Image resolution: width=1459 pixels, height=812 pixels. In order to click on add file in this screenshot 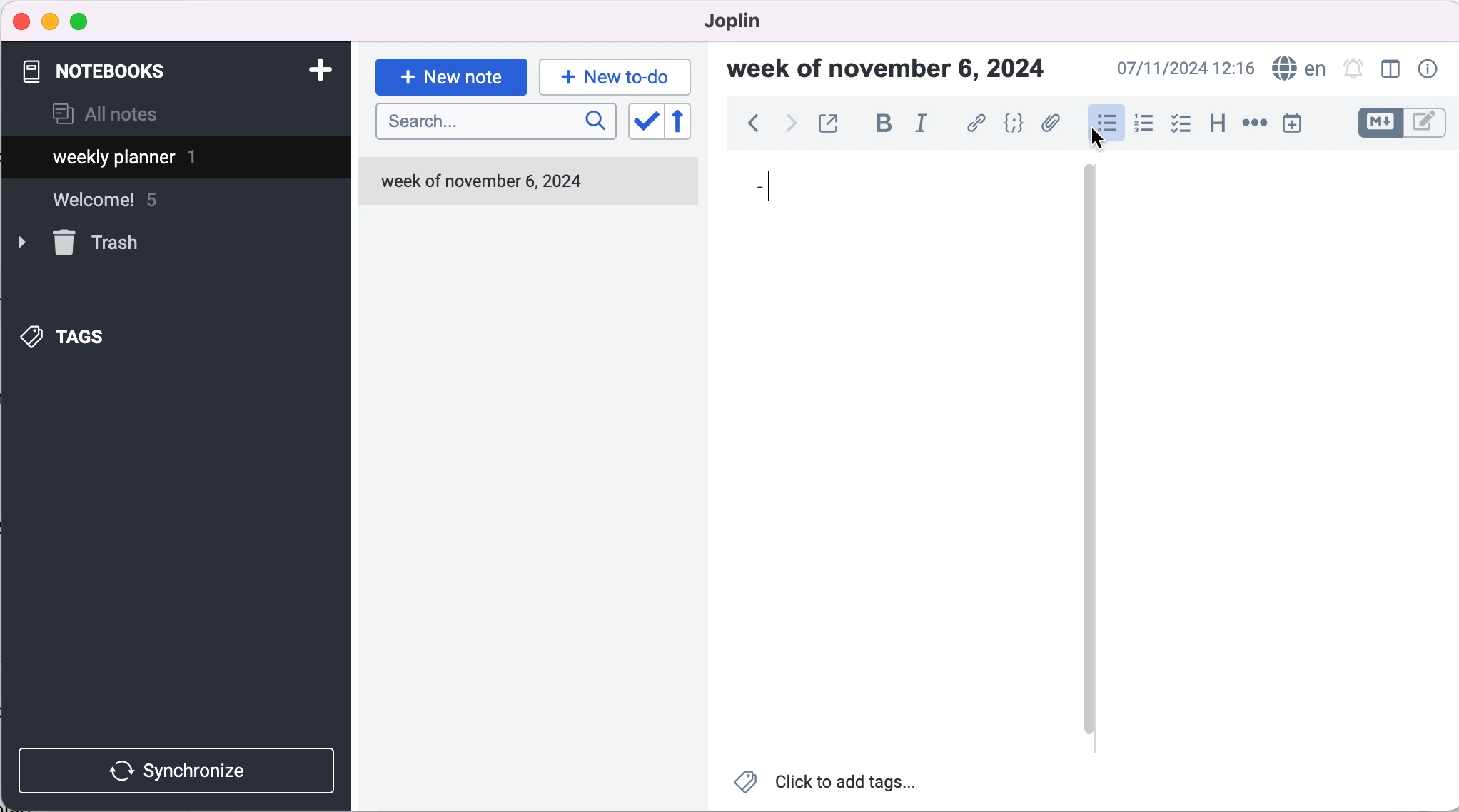, I will do `click(1051, 126)`.